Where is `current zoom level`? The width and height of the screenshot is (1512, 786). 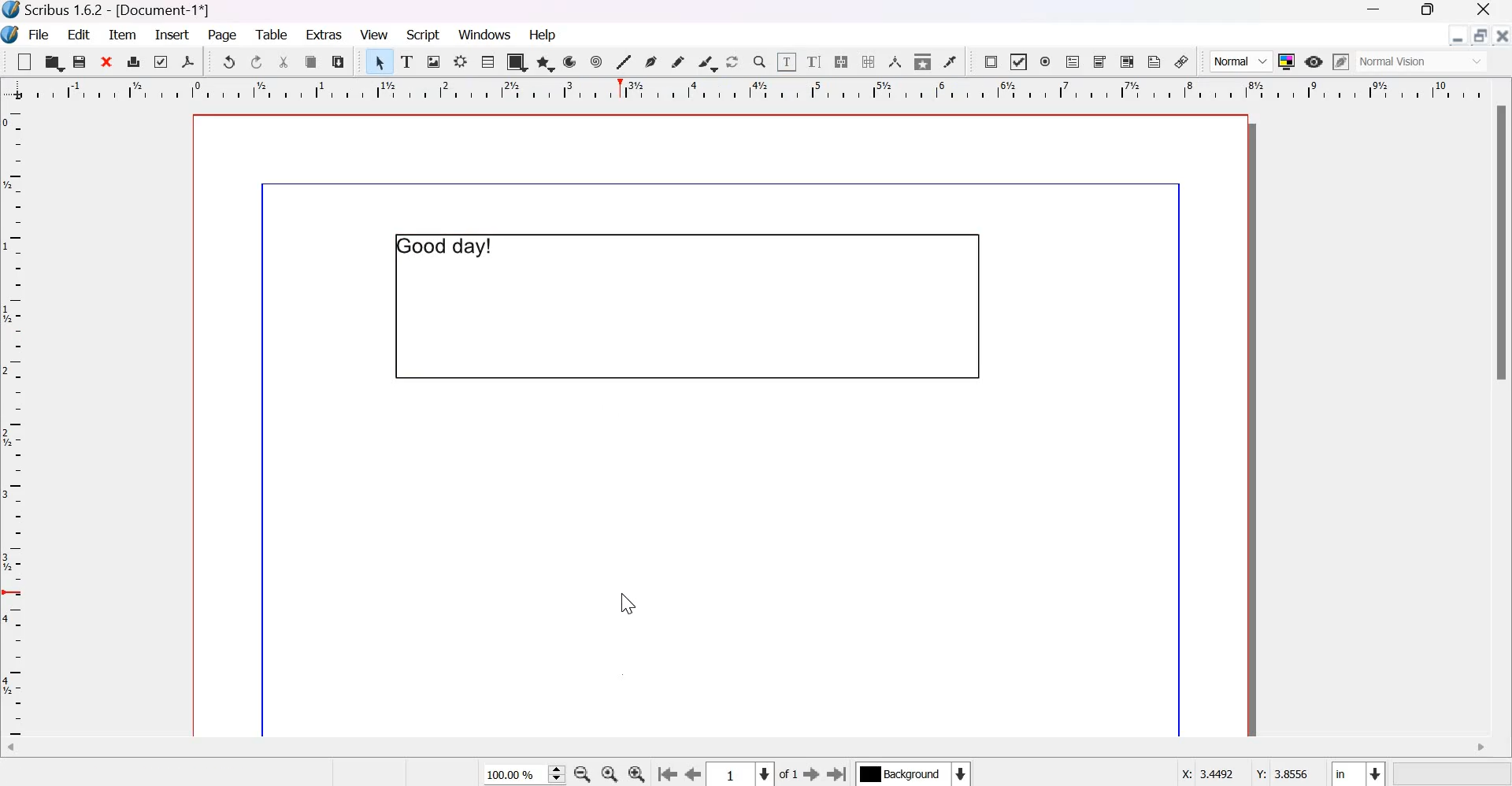
current zoom level is located at coordinates (524, 775).